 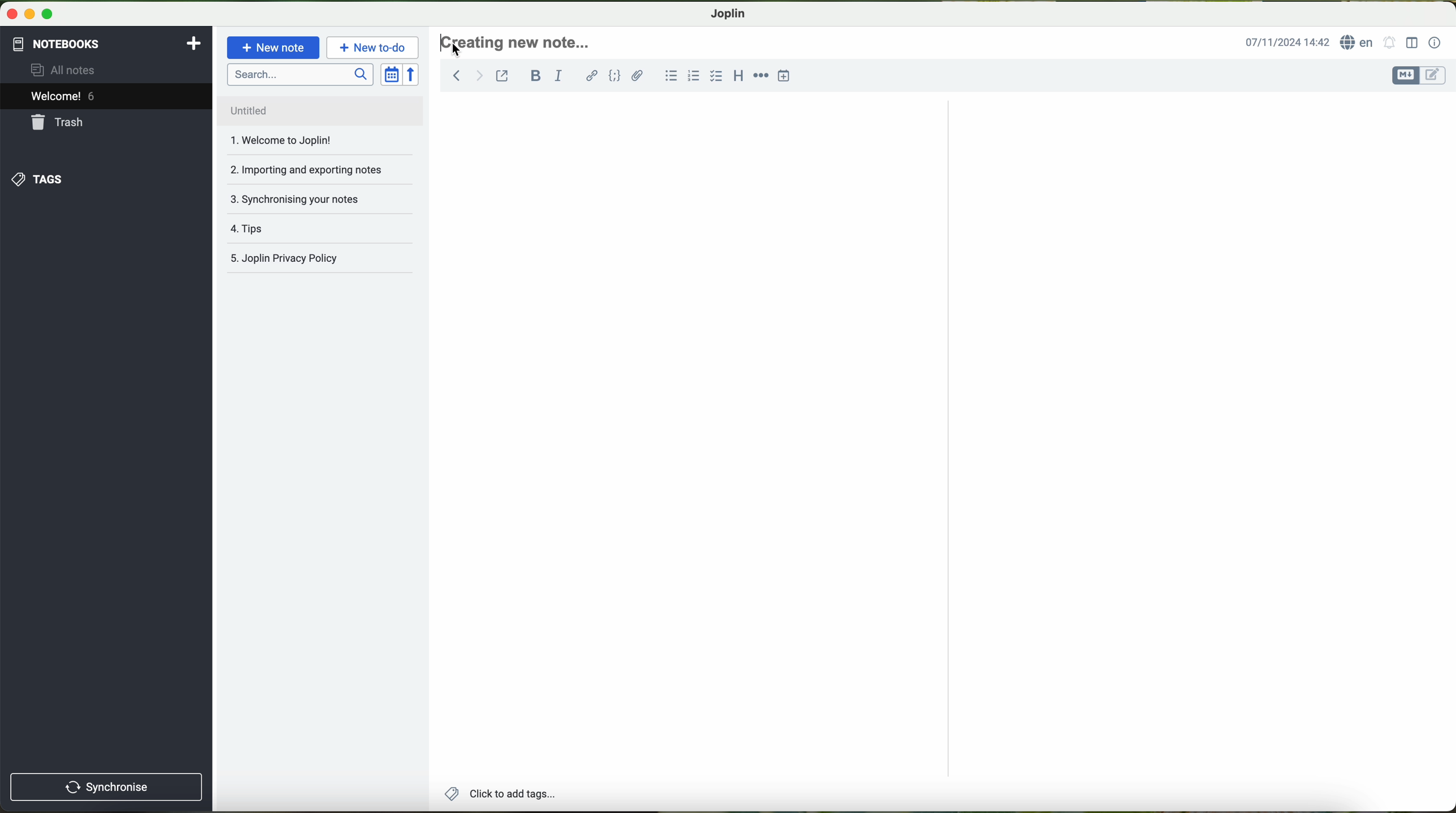 What do you see at coordinates (500, 795) in the screenshot?
I see `add tags` at bounding box center [500, 795].